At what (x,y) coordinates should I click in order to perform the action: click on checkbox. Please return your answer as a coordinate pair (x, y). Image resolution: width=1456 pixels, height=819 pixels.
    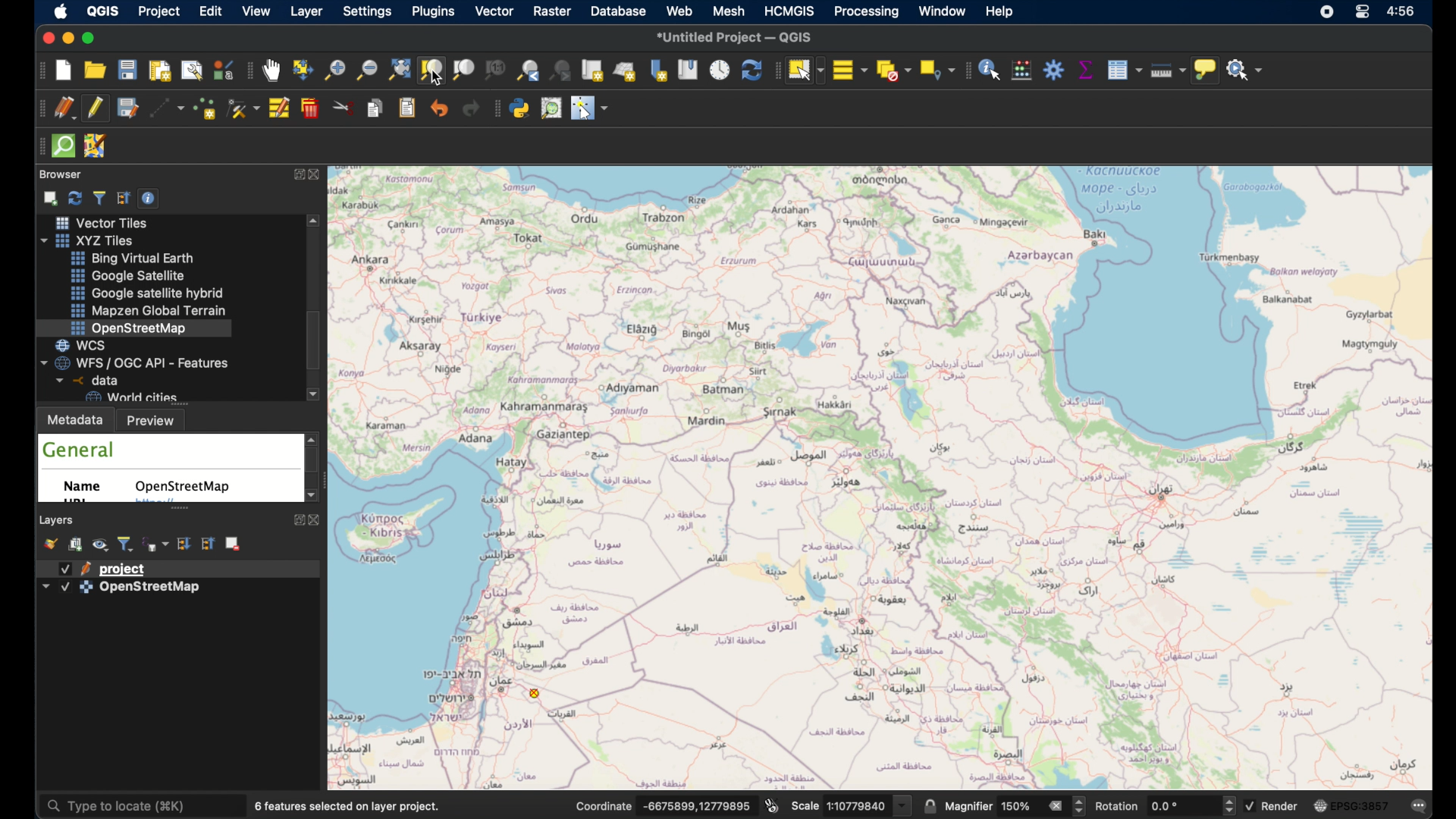
    Looking at the image, I should click on (65, 588).